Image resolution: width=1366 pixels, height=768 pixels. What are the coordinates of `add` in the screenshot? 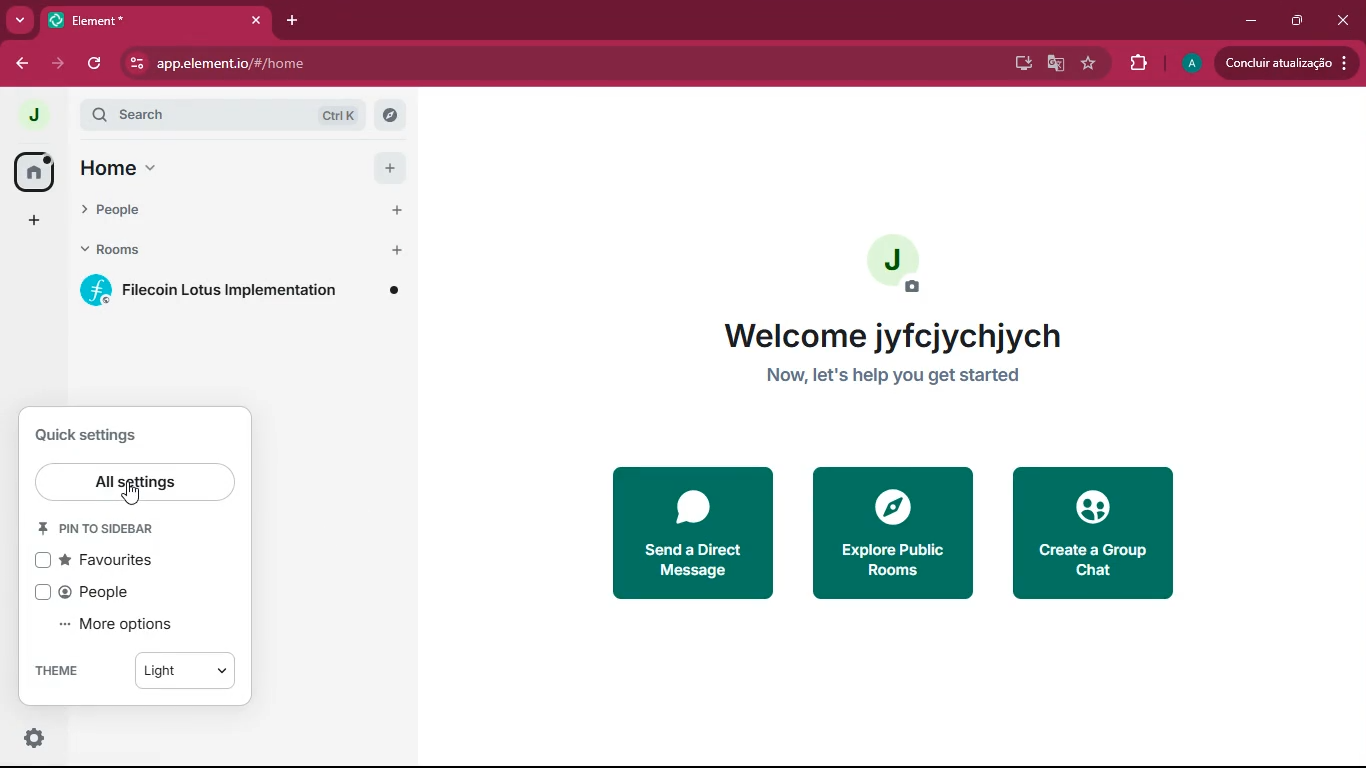 It's located at (32, 220).